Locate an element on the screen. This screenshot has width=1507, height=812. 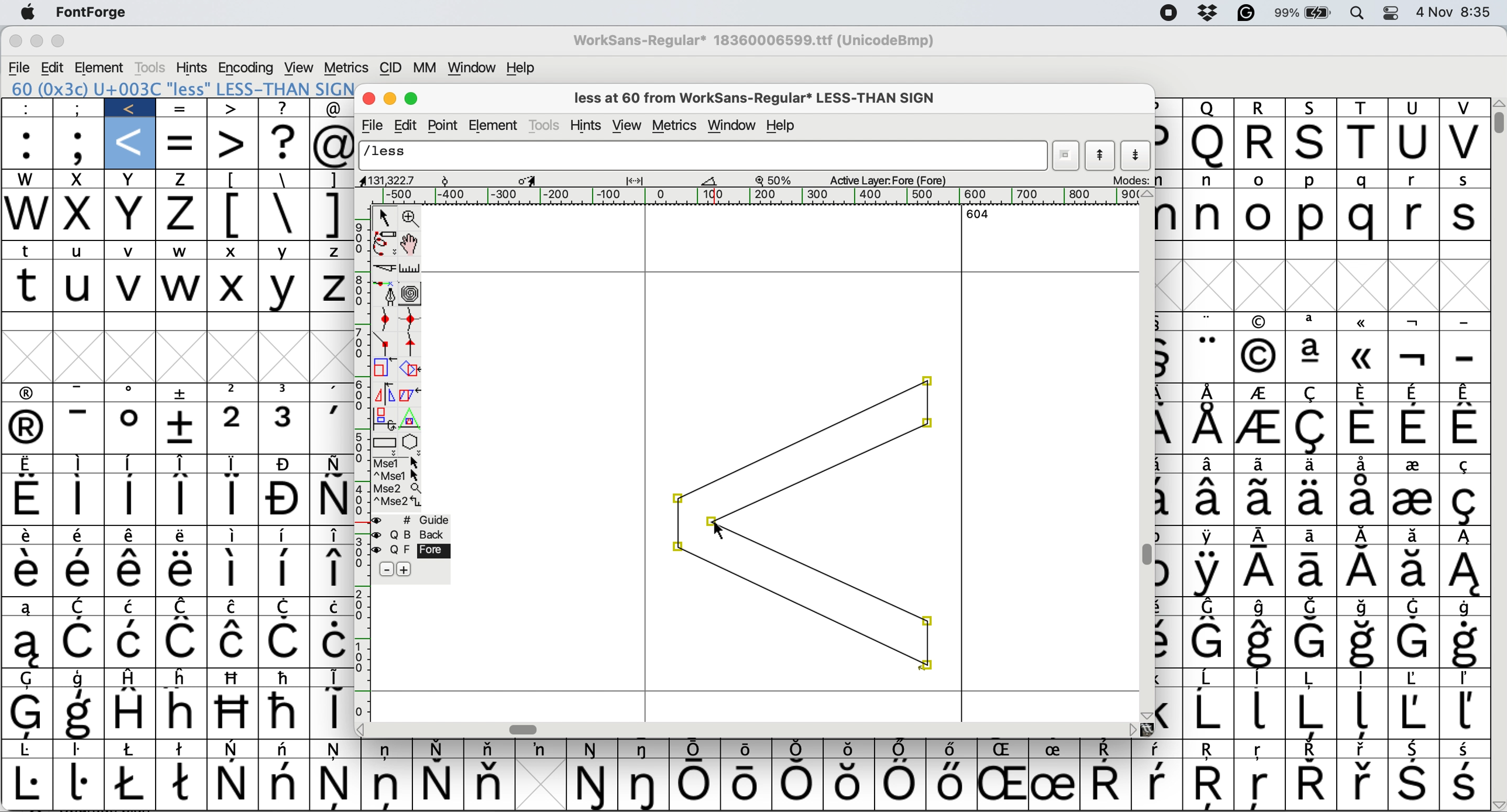
= is located at coordinates (181, 108).